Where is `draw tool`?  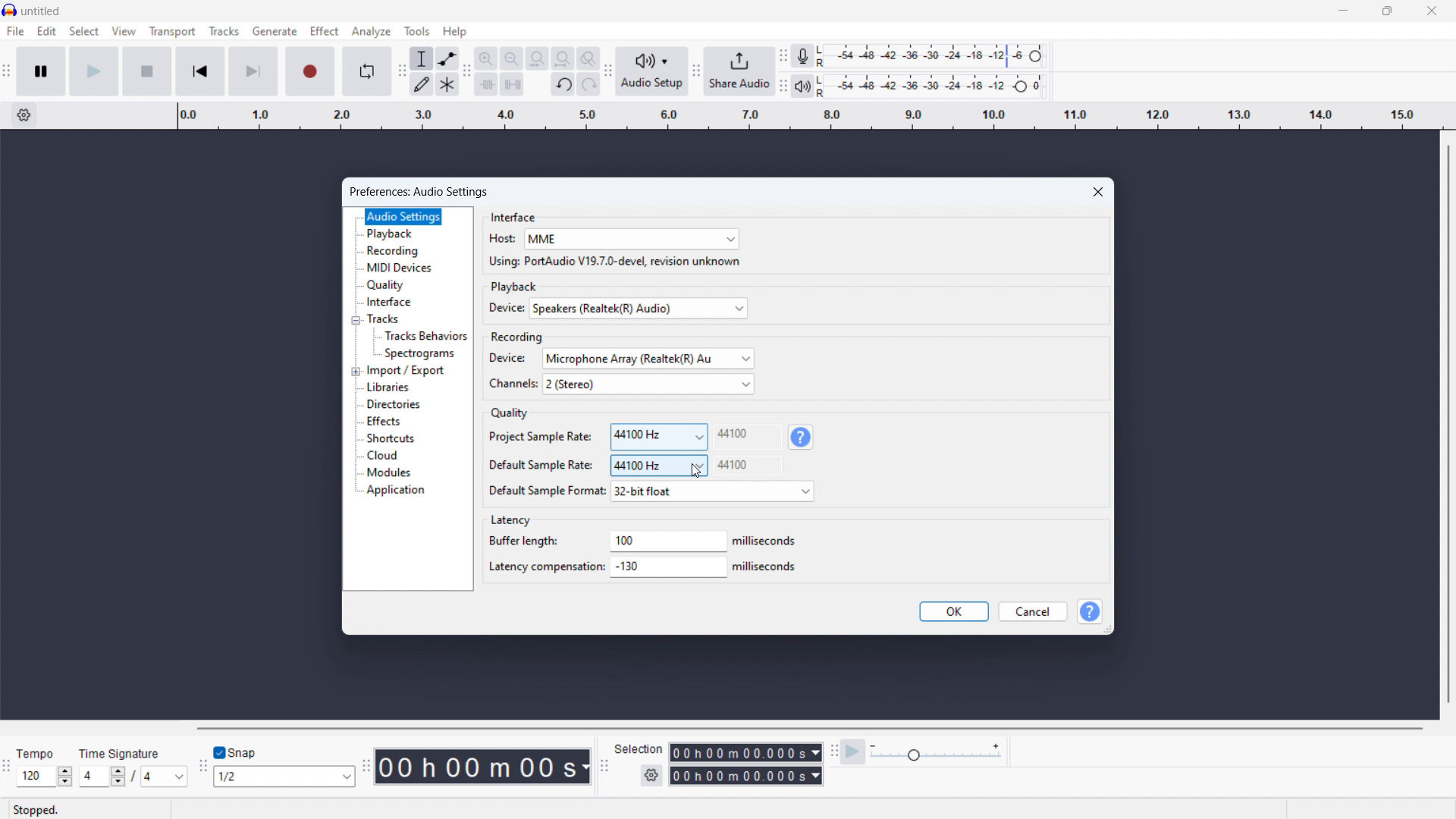 draw tool is located at coordinates (422, 84).